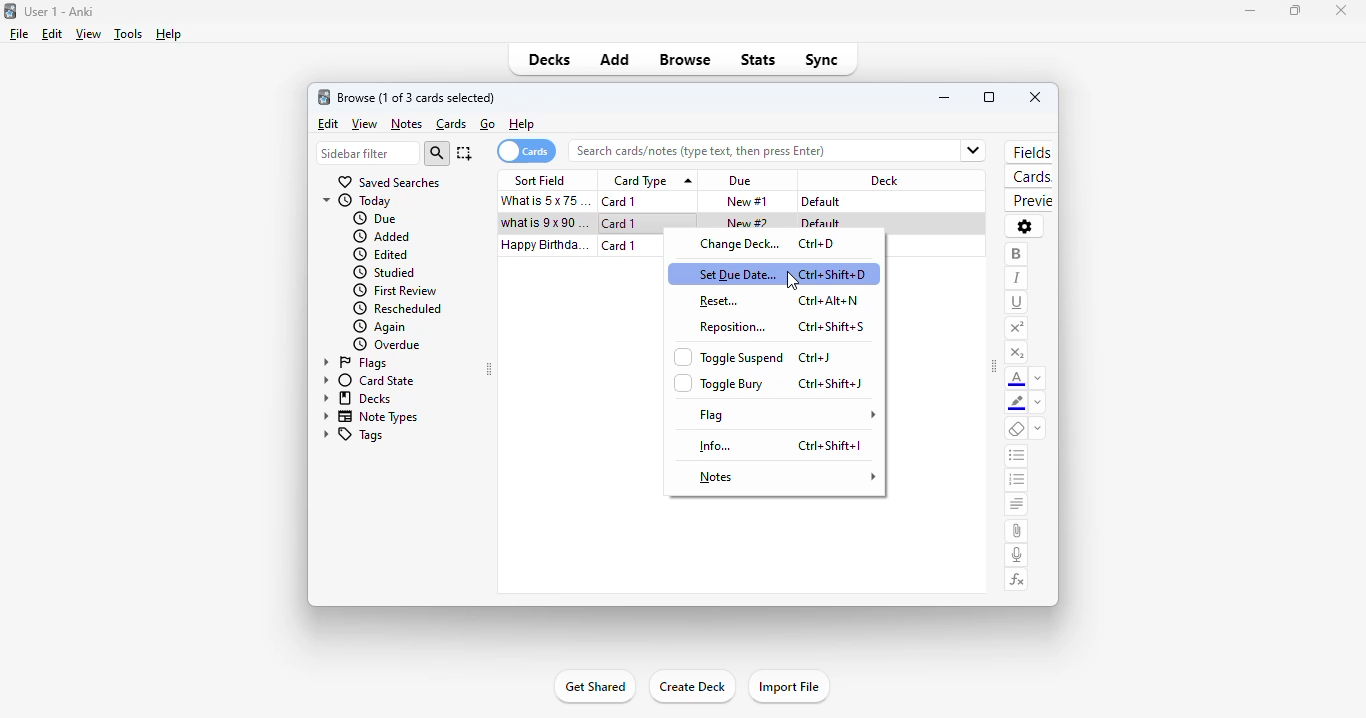 The height and width of the screenshot is (718, 1366). Describe the element at coordinates (784, 415) in the screenshot. I see `flag` at that location.